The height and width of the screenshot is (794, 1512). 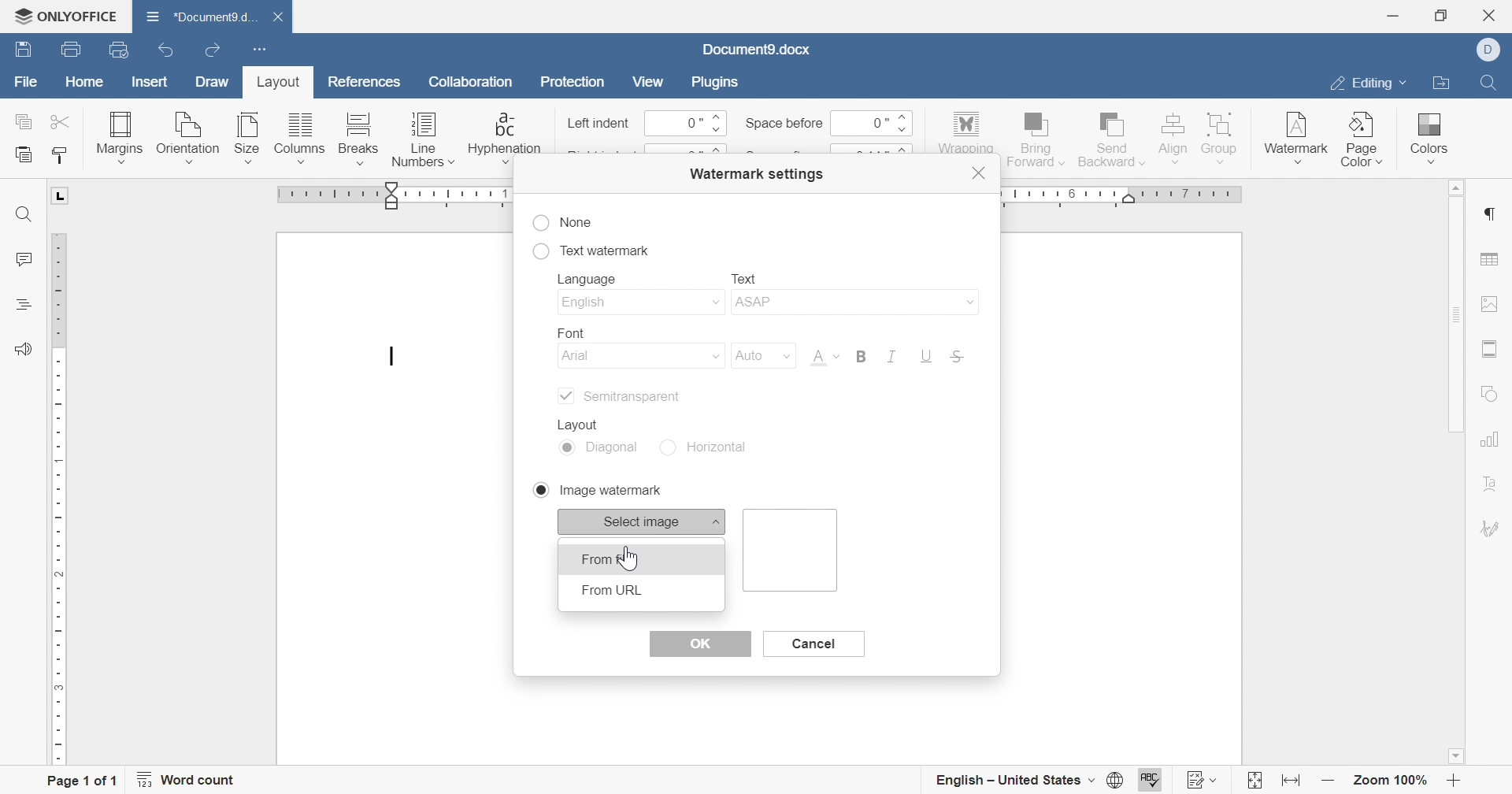 I want to click on collaboration, so click(x=473, y=86).